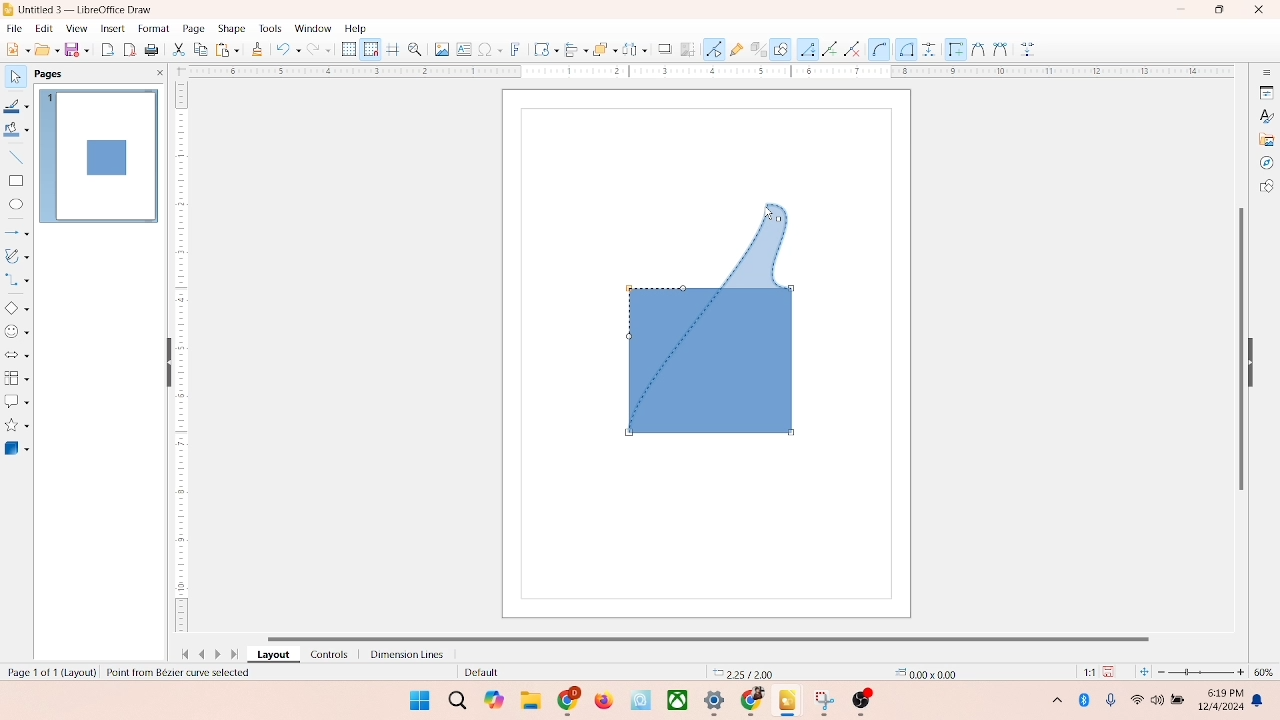 The image size is (1280, 720). I want to click on toggle extrusion, so click(753, 50).